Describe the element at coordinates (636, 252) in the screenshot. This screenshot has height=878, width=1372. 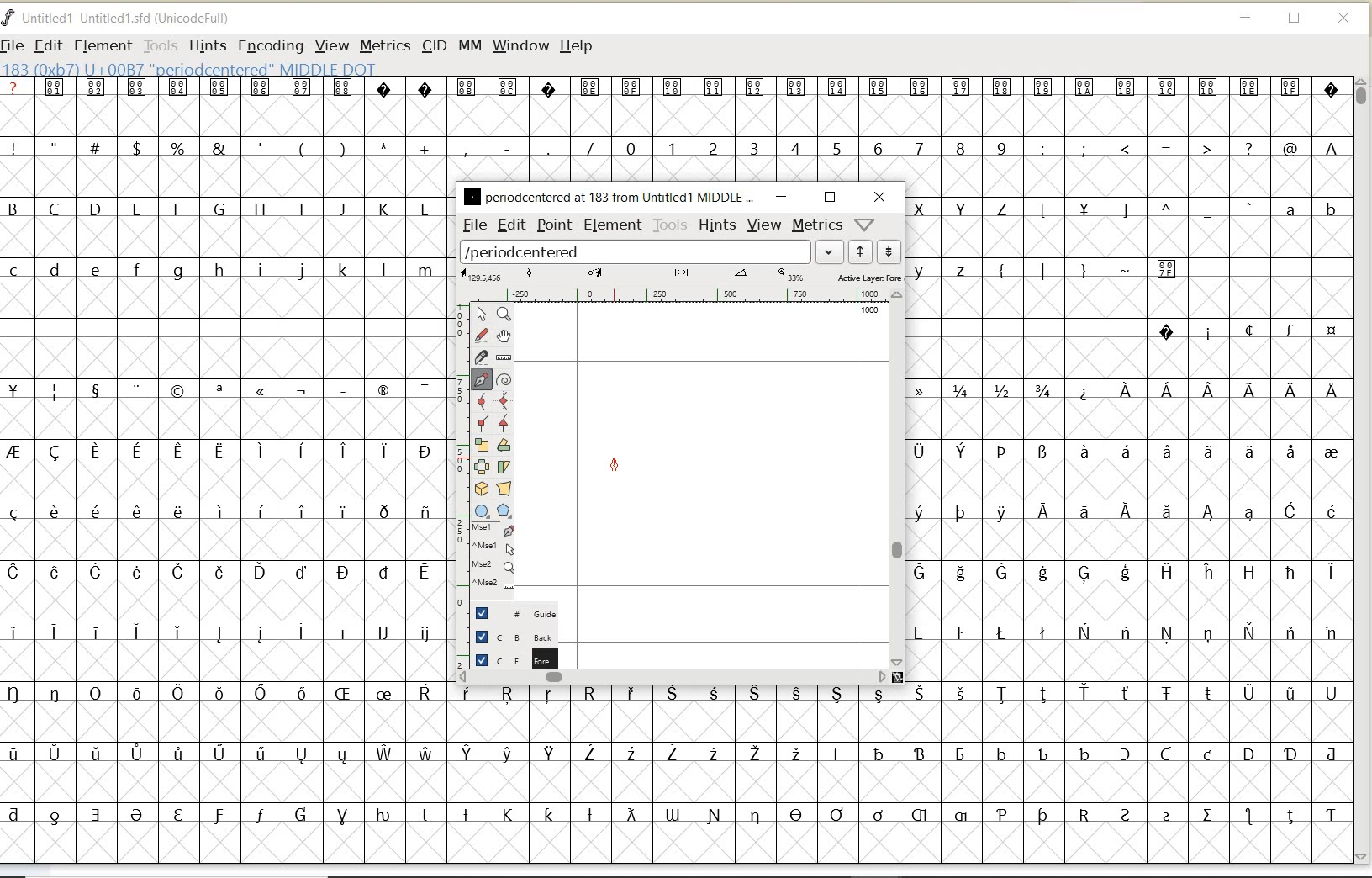
I see `load word list` at that location.